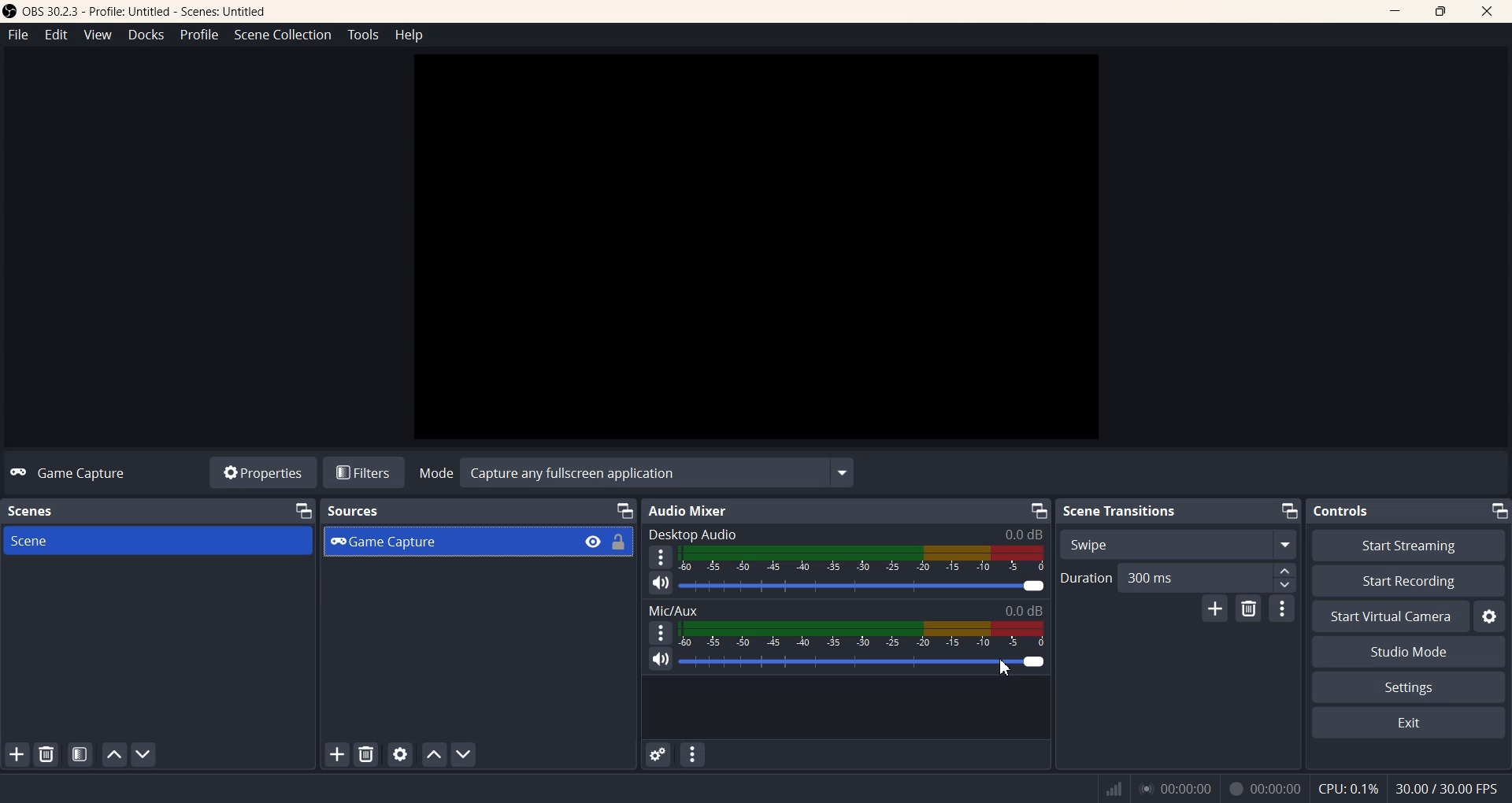 The width and height of the screenshot is (1512, 803). What do you see at coordinates (755, 246) in the screenshot?
I see `Preview windoe` at bounding box center [755, 246].